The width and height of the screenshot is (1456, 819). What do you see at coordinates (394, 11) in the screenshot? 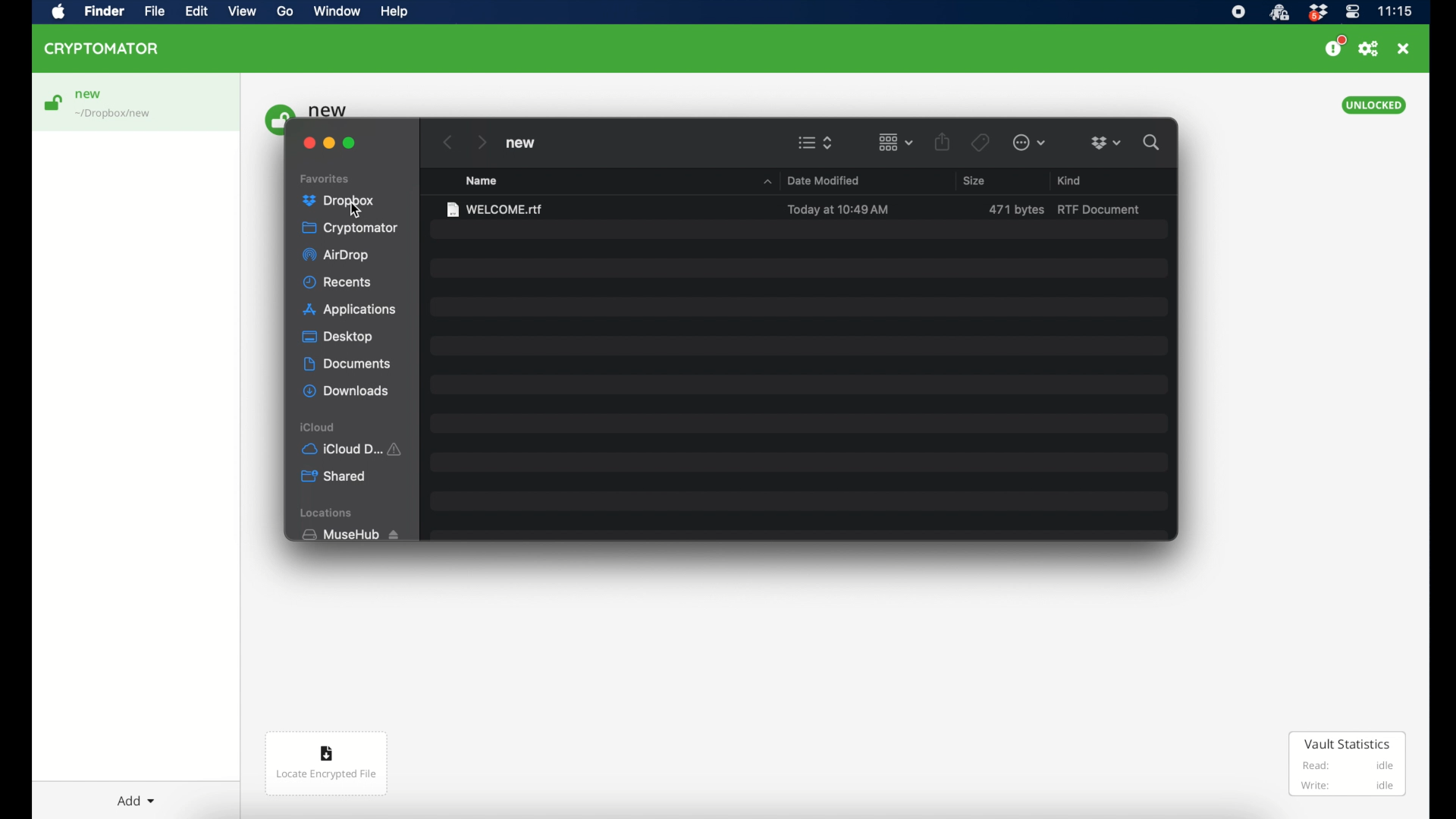
I see `help` at bounding box center [394, 11].